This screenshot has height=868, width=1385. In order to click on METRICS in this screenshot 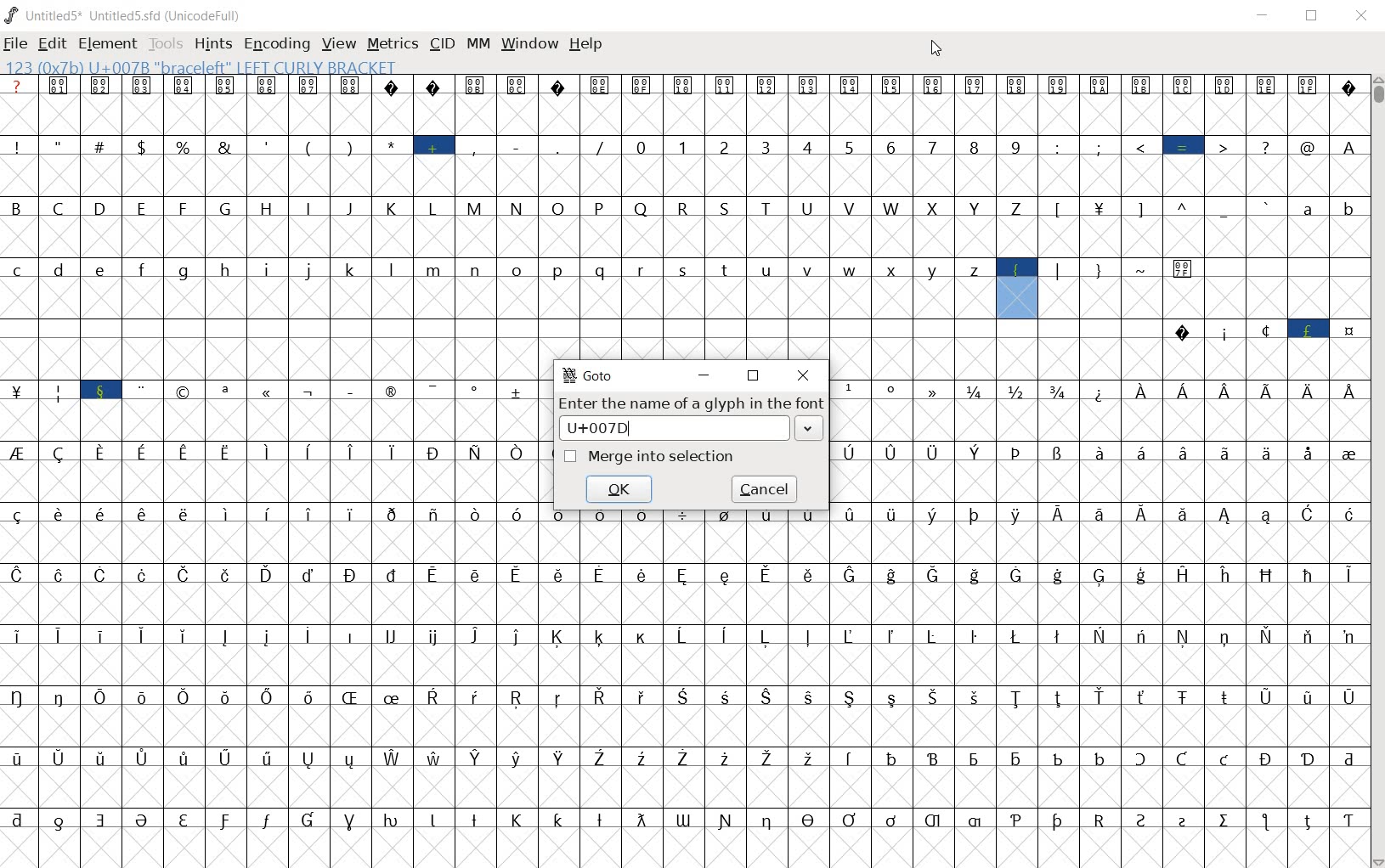, I will do `click(392, 45)`.